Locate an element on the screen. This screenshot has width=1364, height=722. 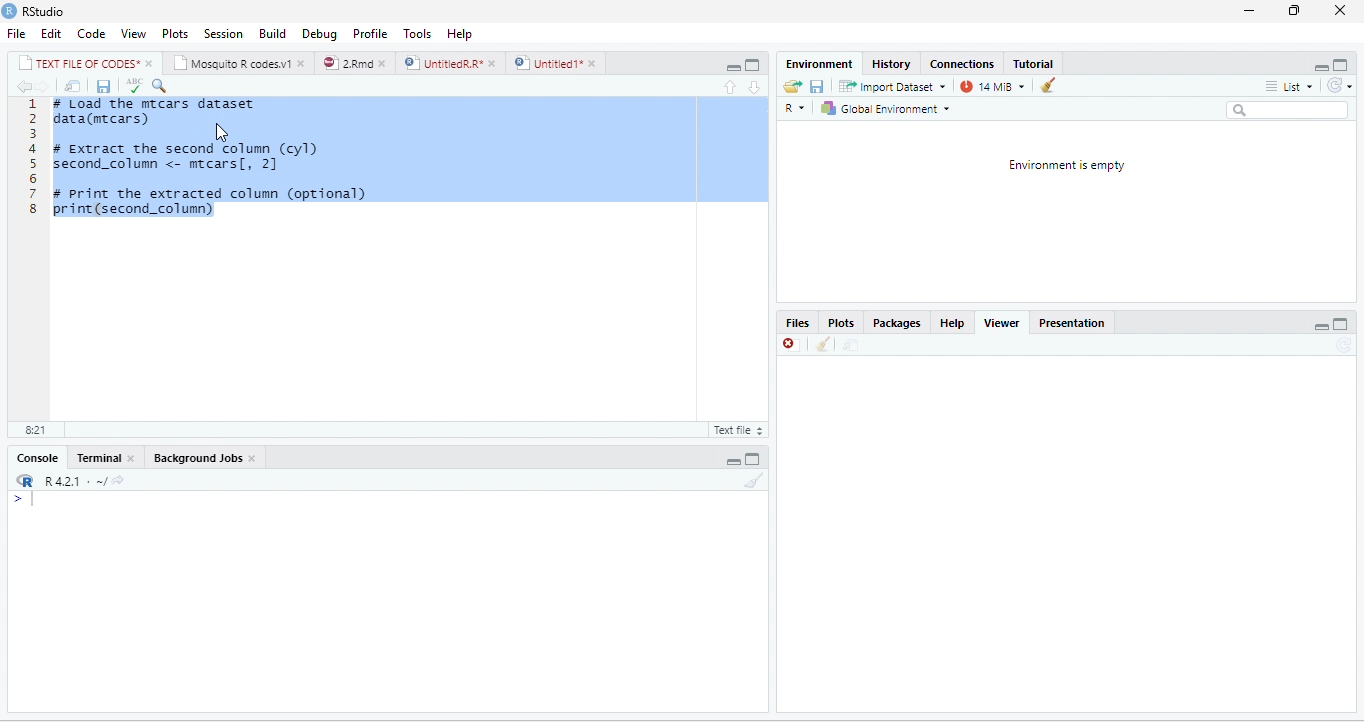
close is located at coordinates (150, 62).